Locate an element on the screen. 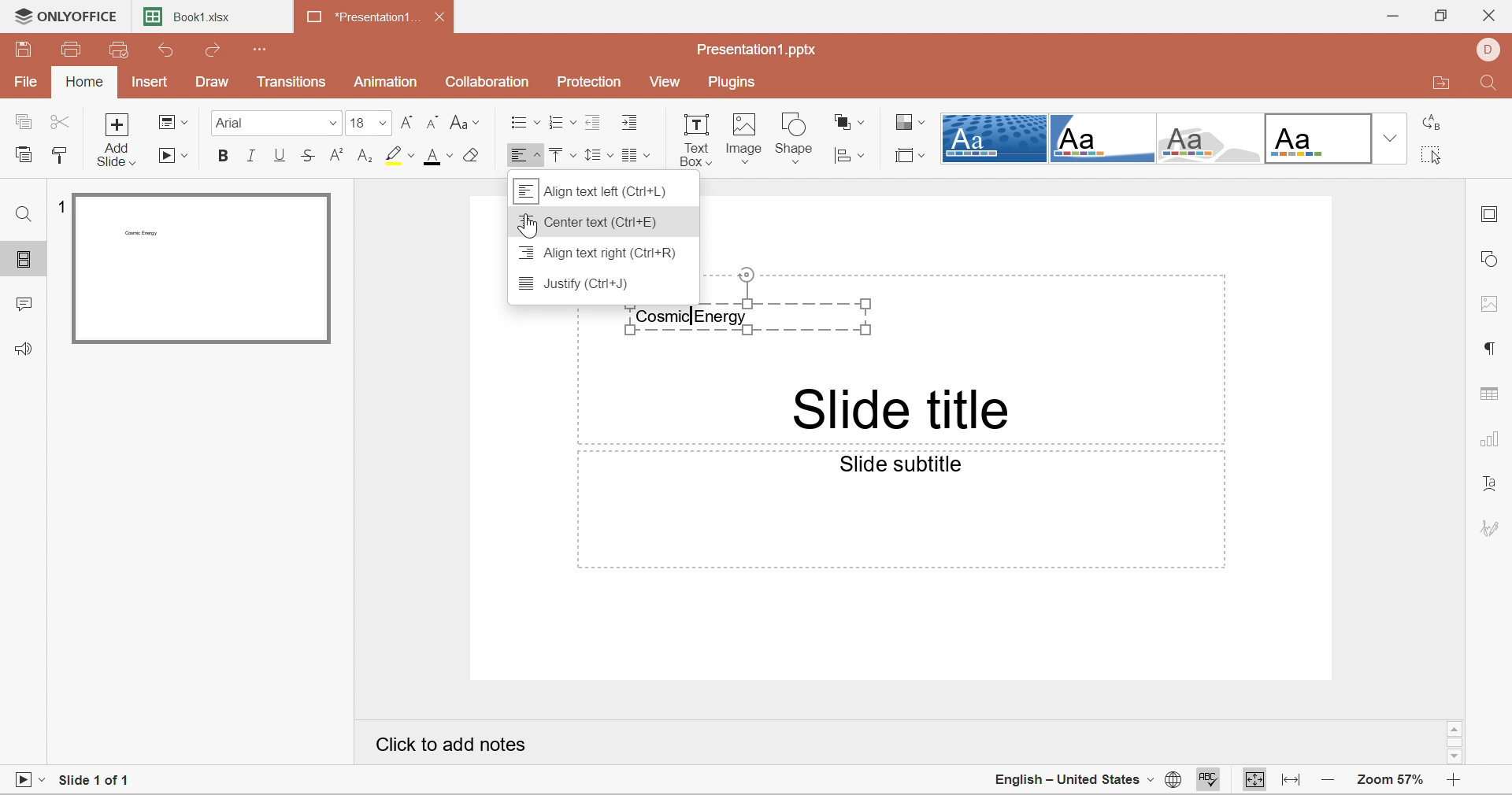  Print is located at coordinates (74, 50).